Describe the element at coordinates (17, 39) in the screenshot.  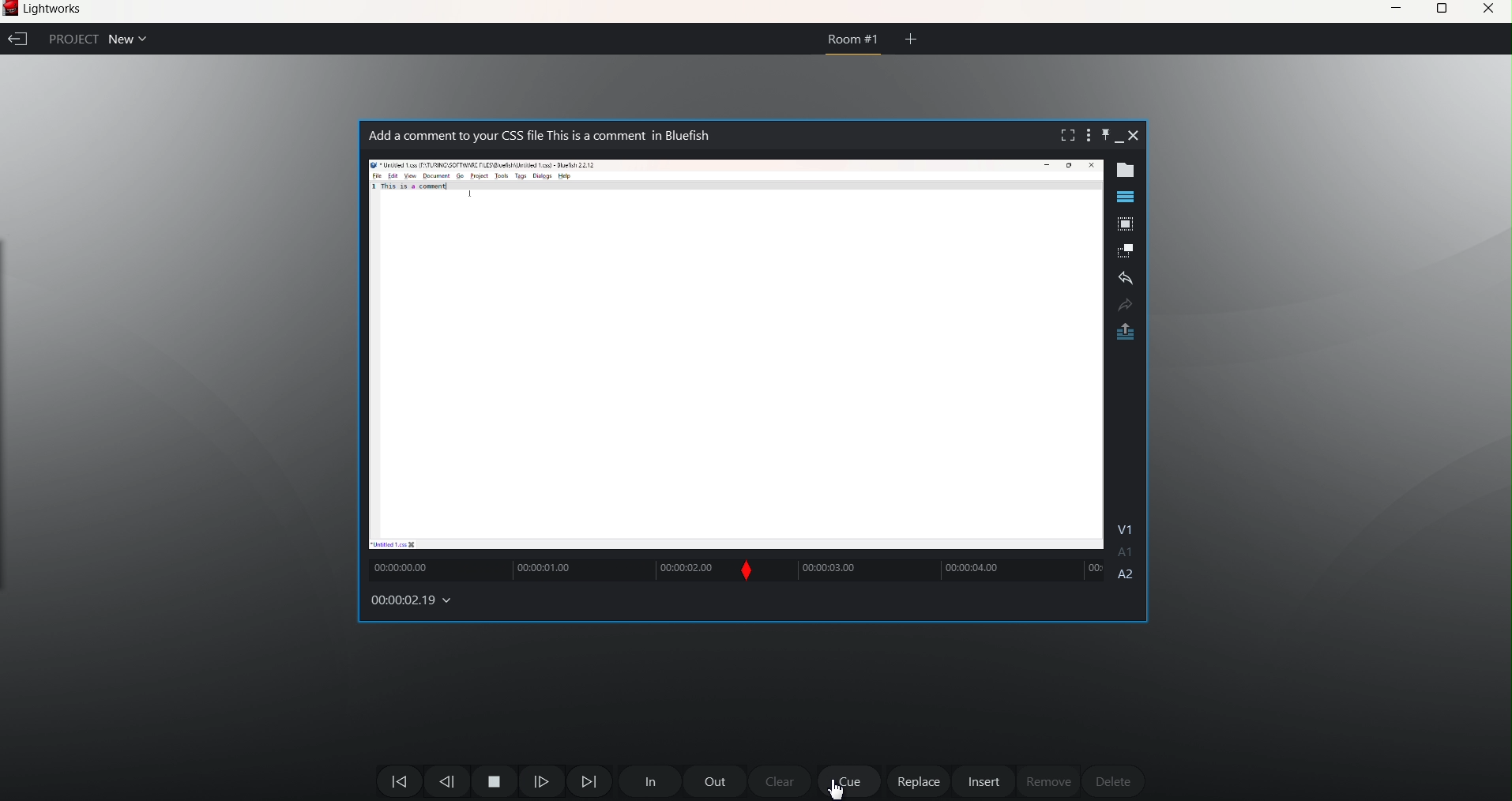
I see `exit` at that location.